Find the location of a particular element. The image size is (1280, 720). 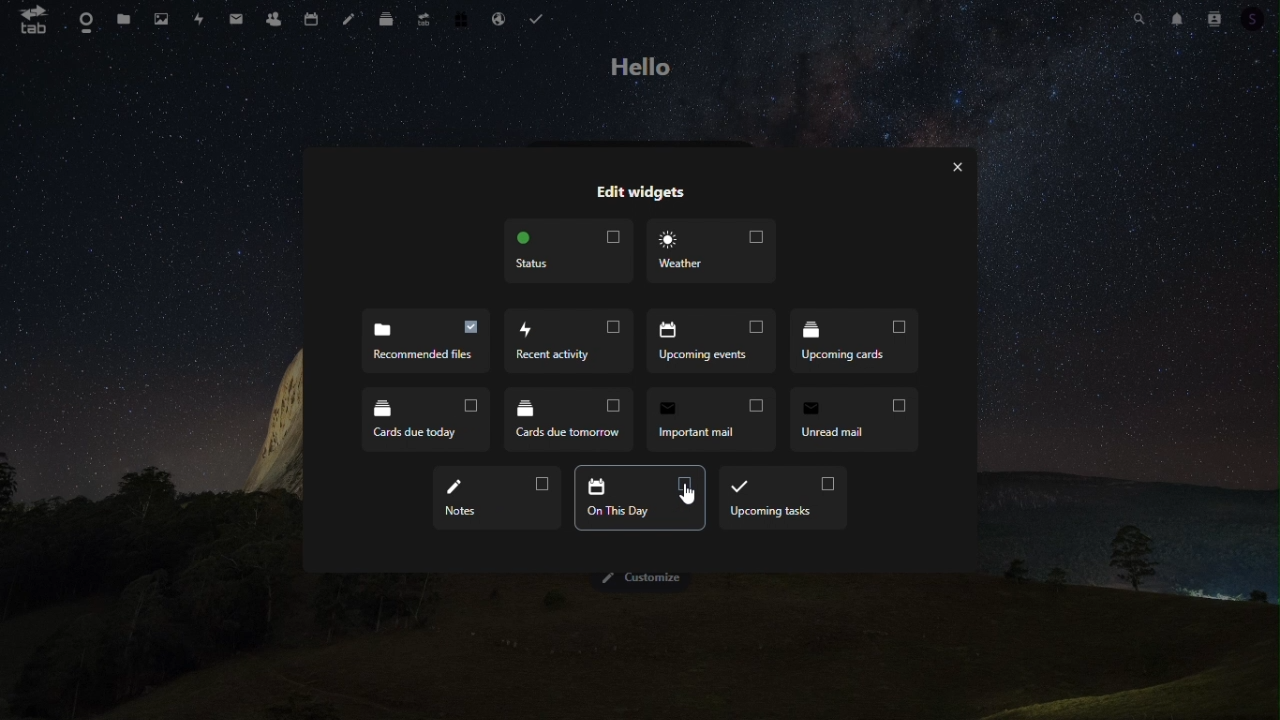

Account icon is located at coordinates (1255, 19).